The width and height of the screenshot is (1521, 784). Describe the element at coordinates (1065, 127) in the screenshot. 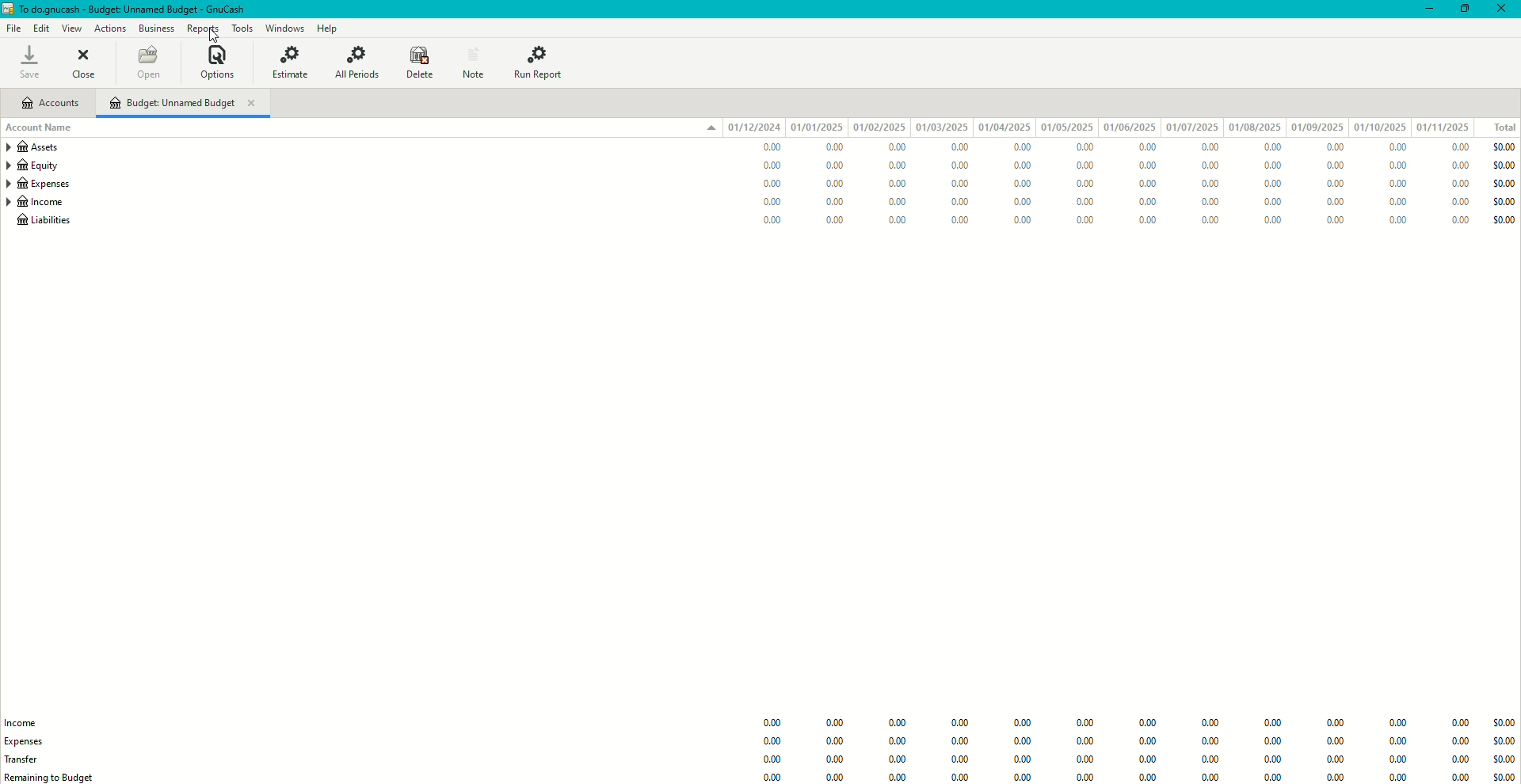

I see `01/05/2025` at that location.